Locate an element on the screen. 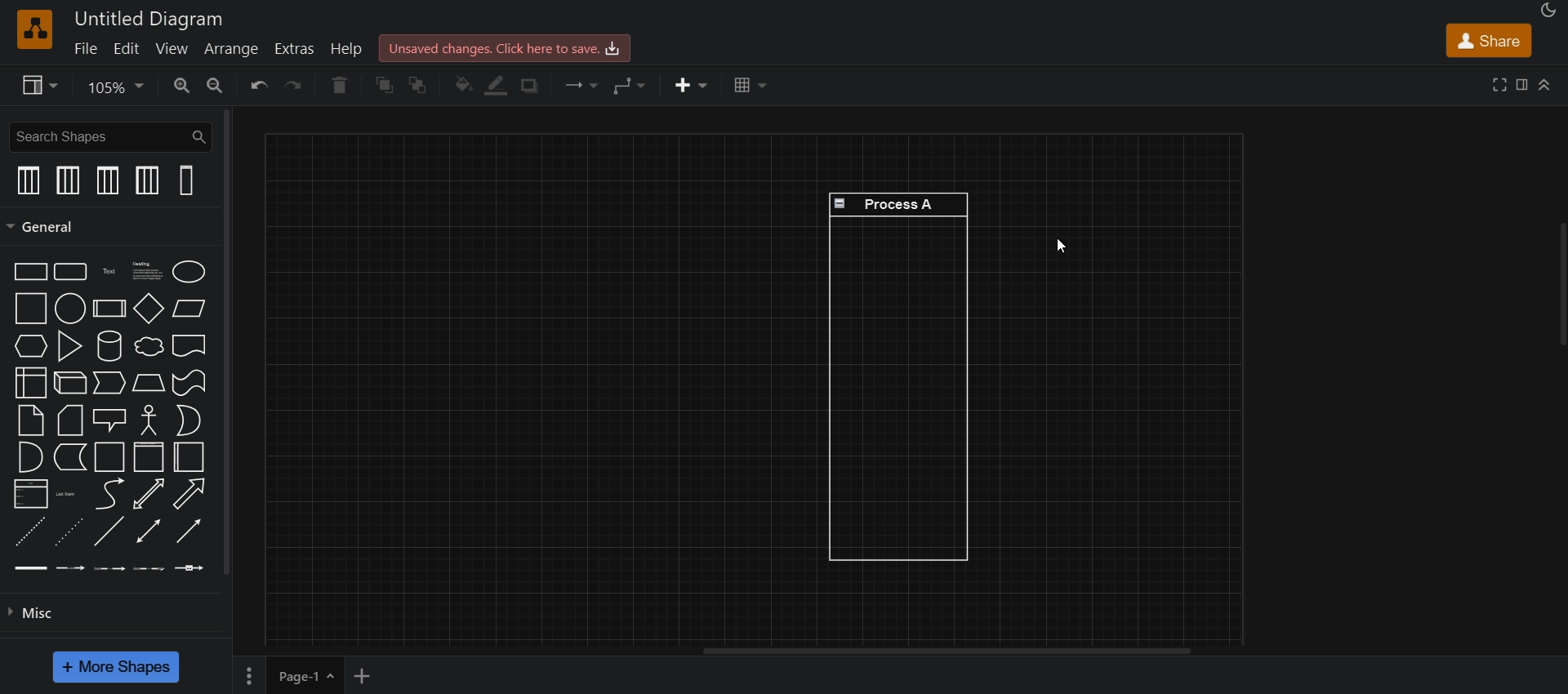 The height and width of the screenshot is (694, 1568). vertical pool 1 is located at coordinates (28, 180).